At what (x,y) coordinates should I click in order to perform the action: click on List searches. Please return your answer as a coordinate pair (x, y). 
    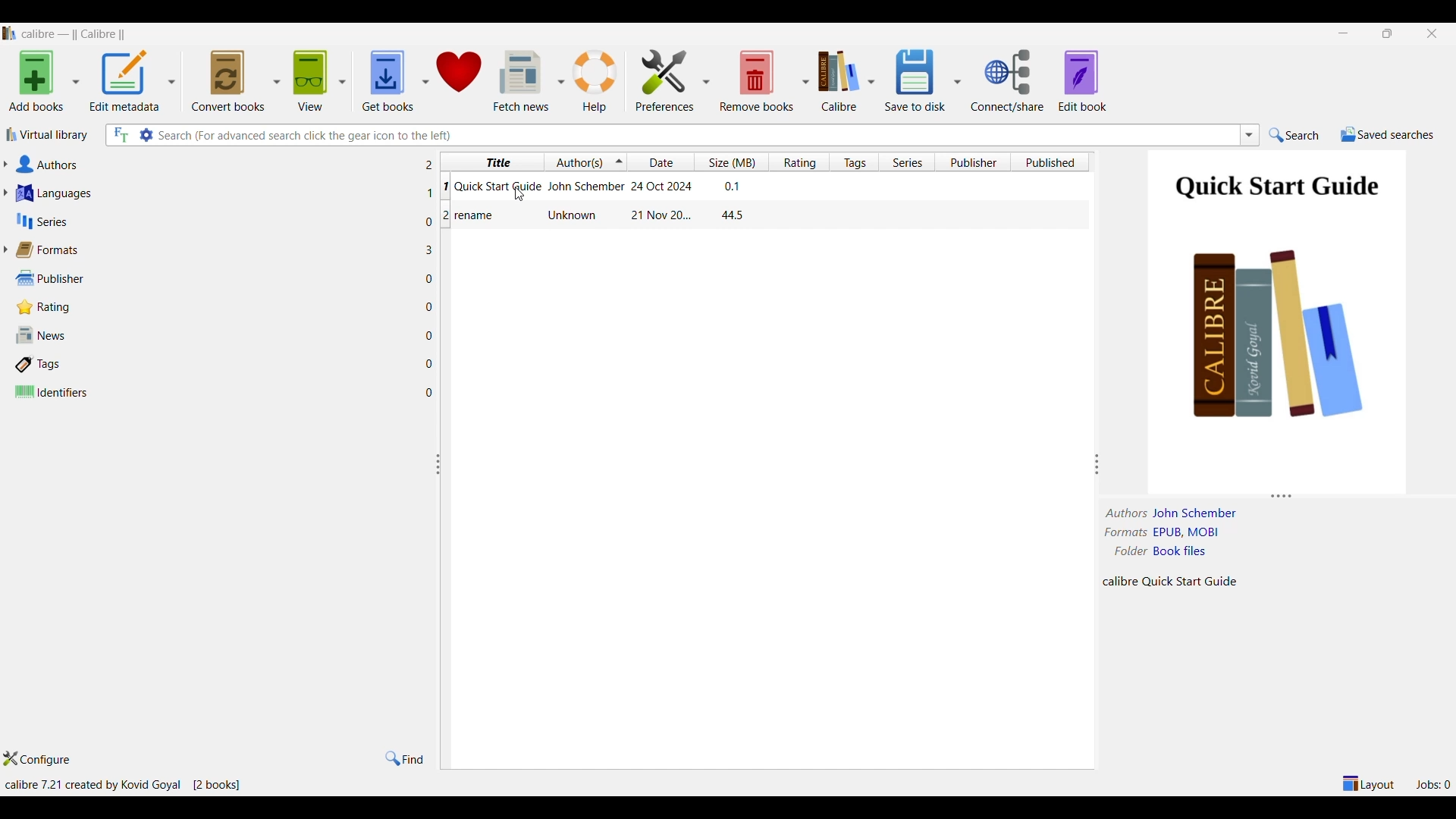
    Looking at the image, I should click on (1250, 135).